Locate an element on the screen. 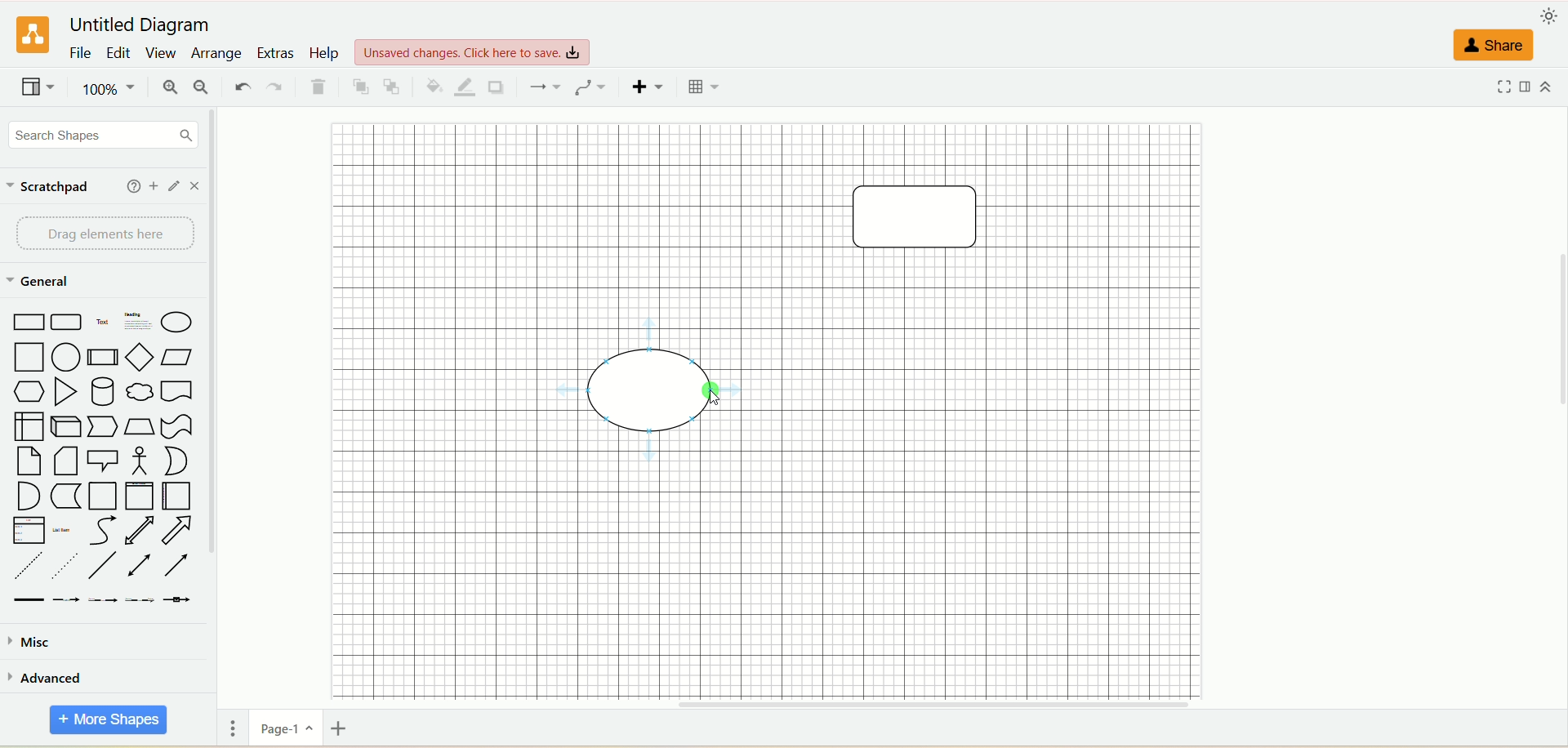 The image size is (1568, 748). shape is located at coordinates (658, 387).